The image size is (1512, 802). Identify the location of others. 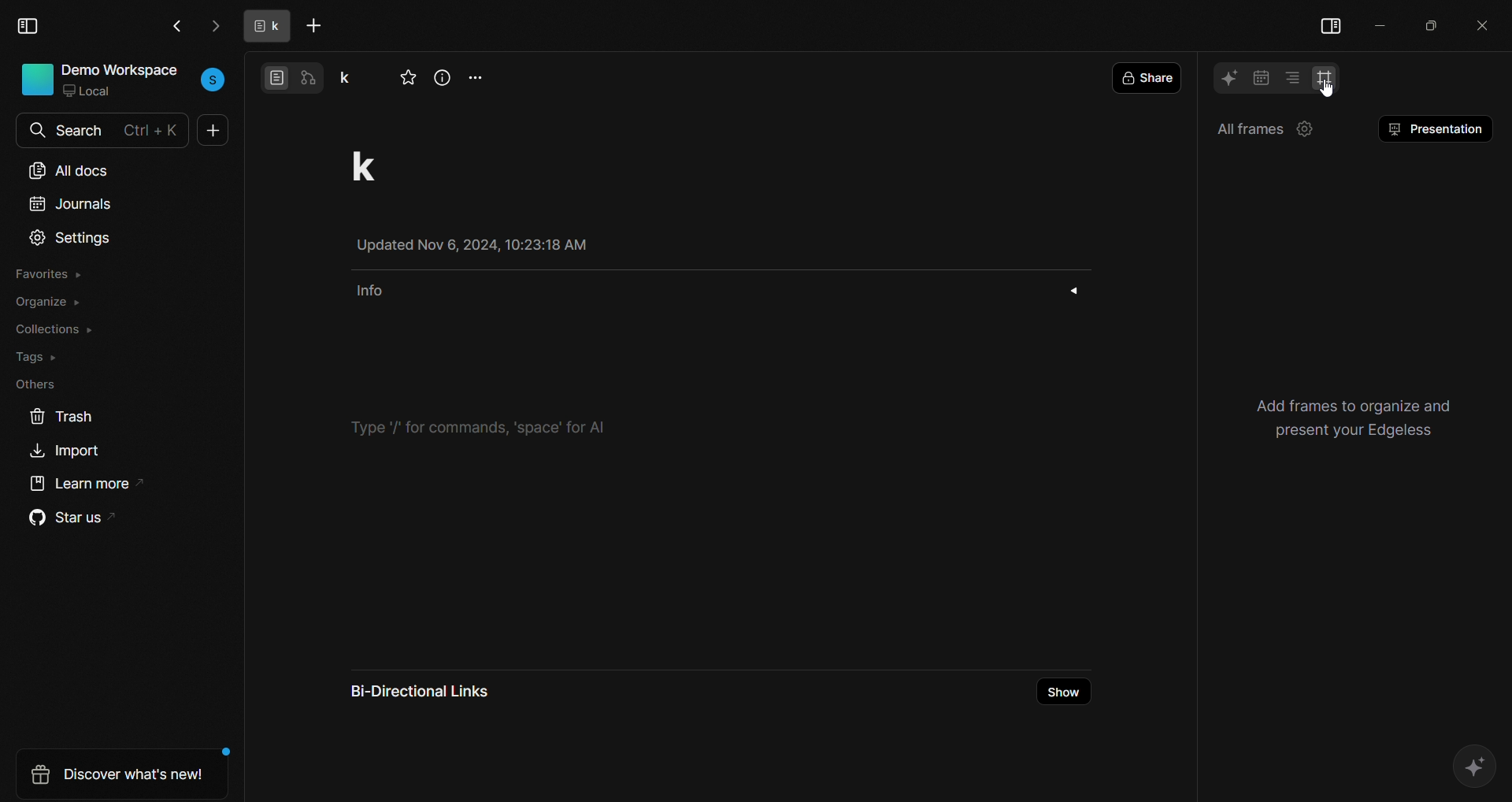
(32, 384).